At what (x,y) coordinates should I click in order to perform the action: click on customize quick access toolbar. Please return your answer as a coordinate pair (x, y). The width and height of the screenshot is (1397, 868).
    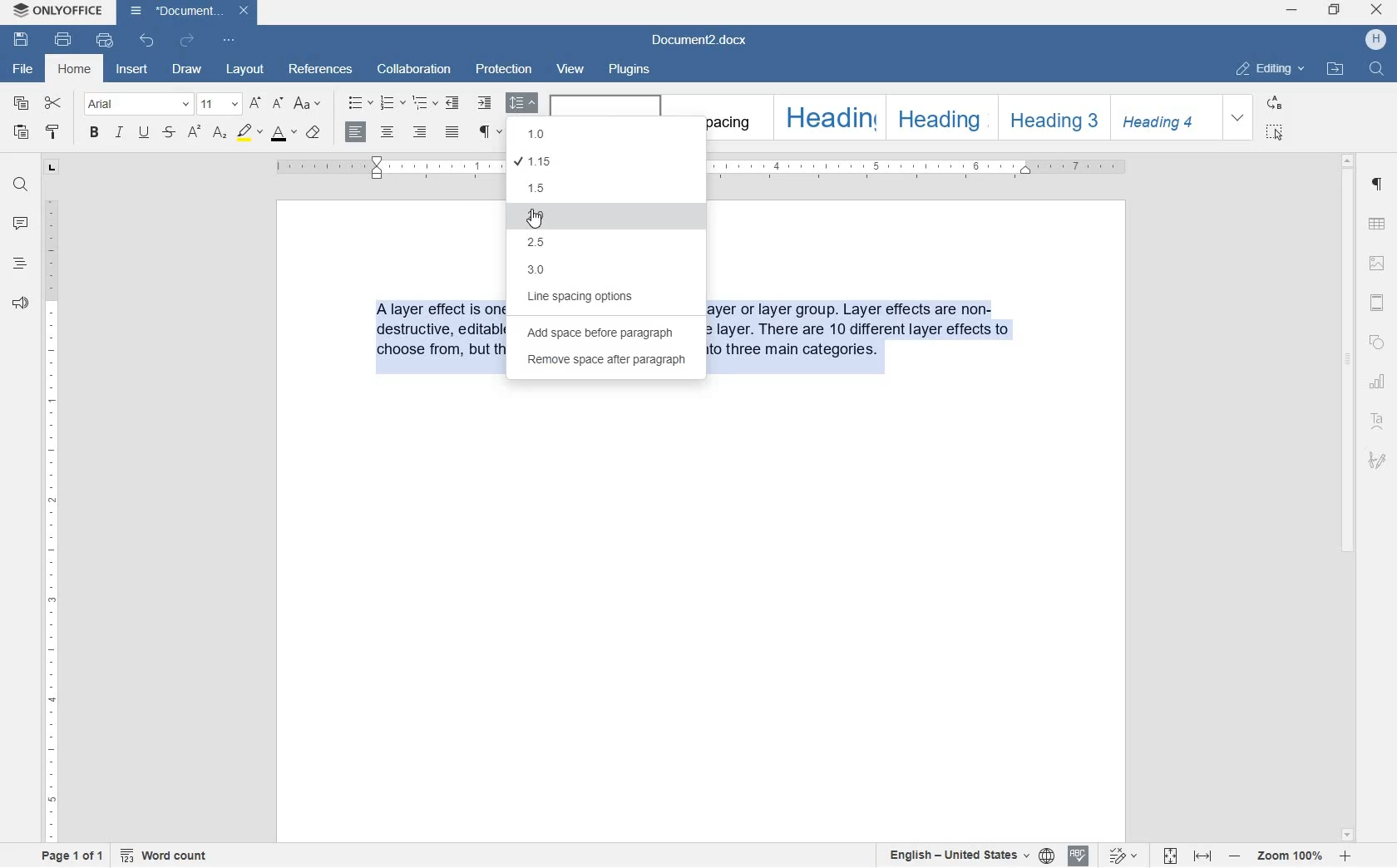
    Looking at the image, I should click on (230, 42).